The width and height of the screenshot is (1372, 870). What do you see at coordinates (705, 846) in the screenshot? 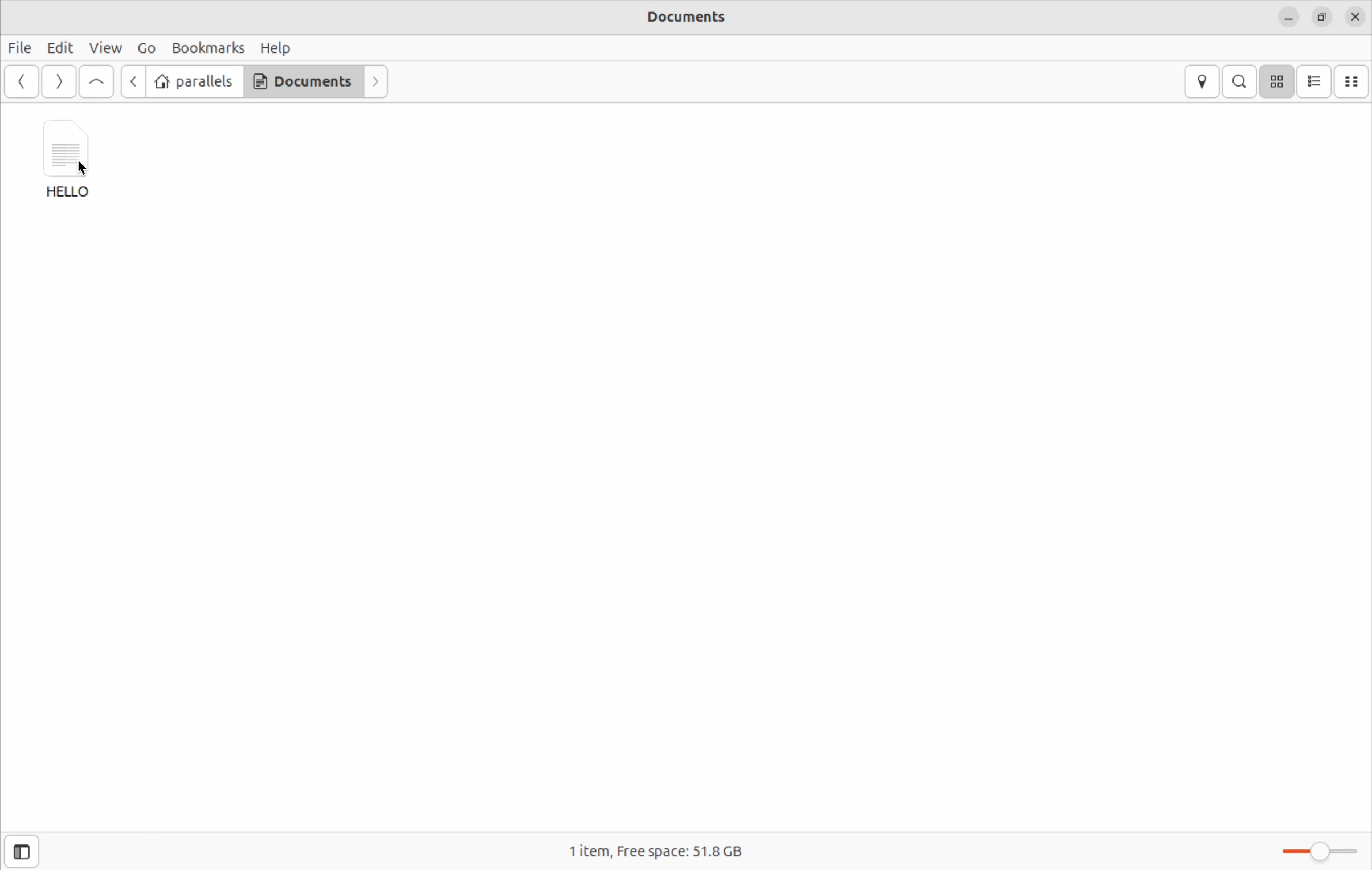
I see `1 item, Free space: 51.8 GB` at bounding box center [705, 846].